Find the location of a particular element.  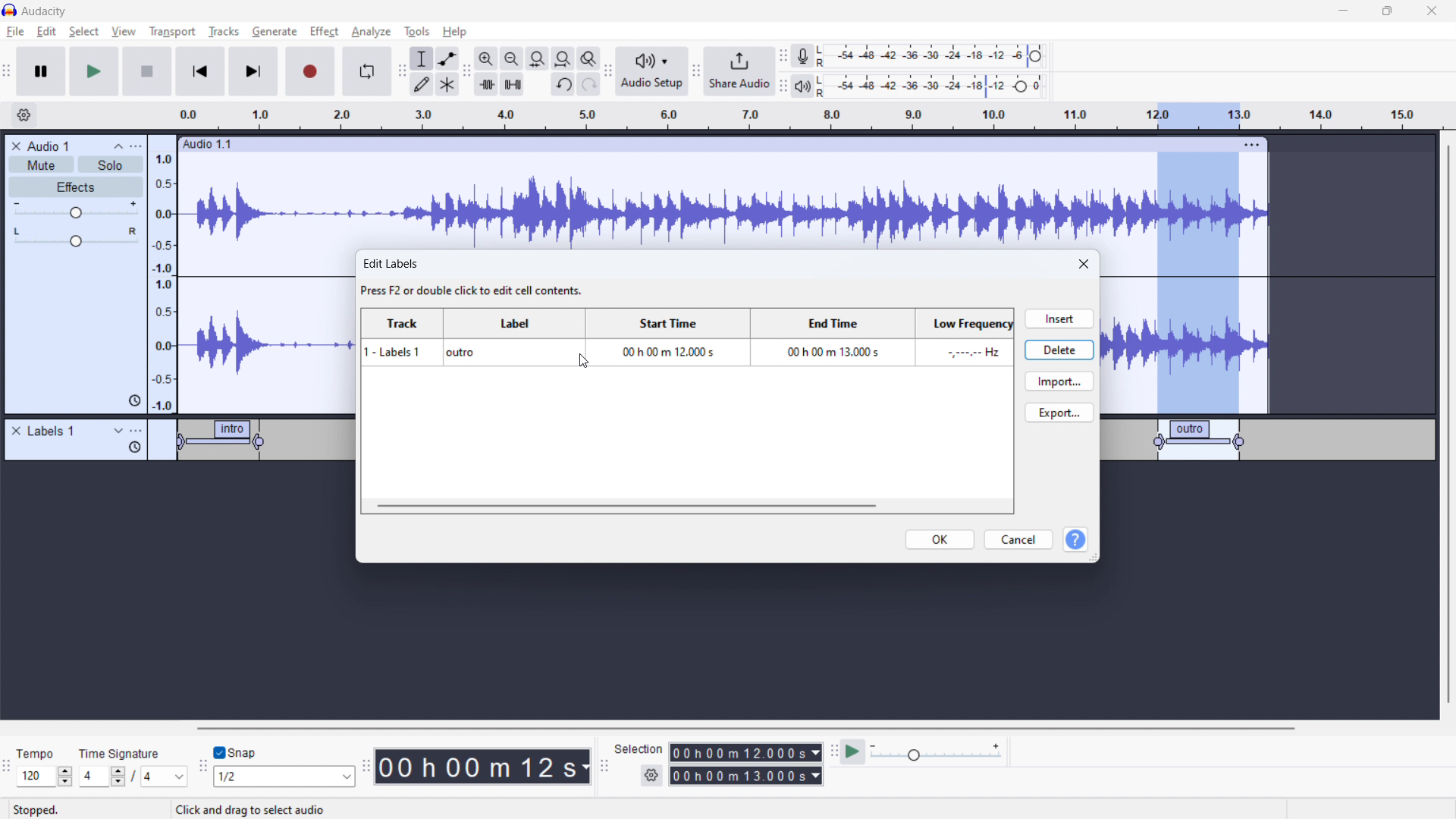

tools toolbar is located at coordinates (402, 71).